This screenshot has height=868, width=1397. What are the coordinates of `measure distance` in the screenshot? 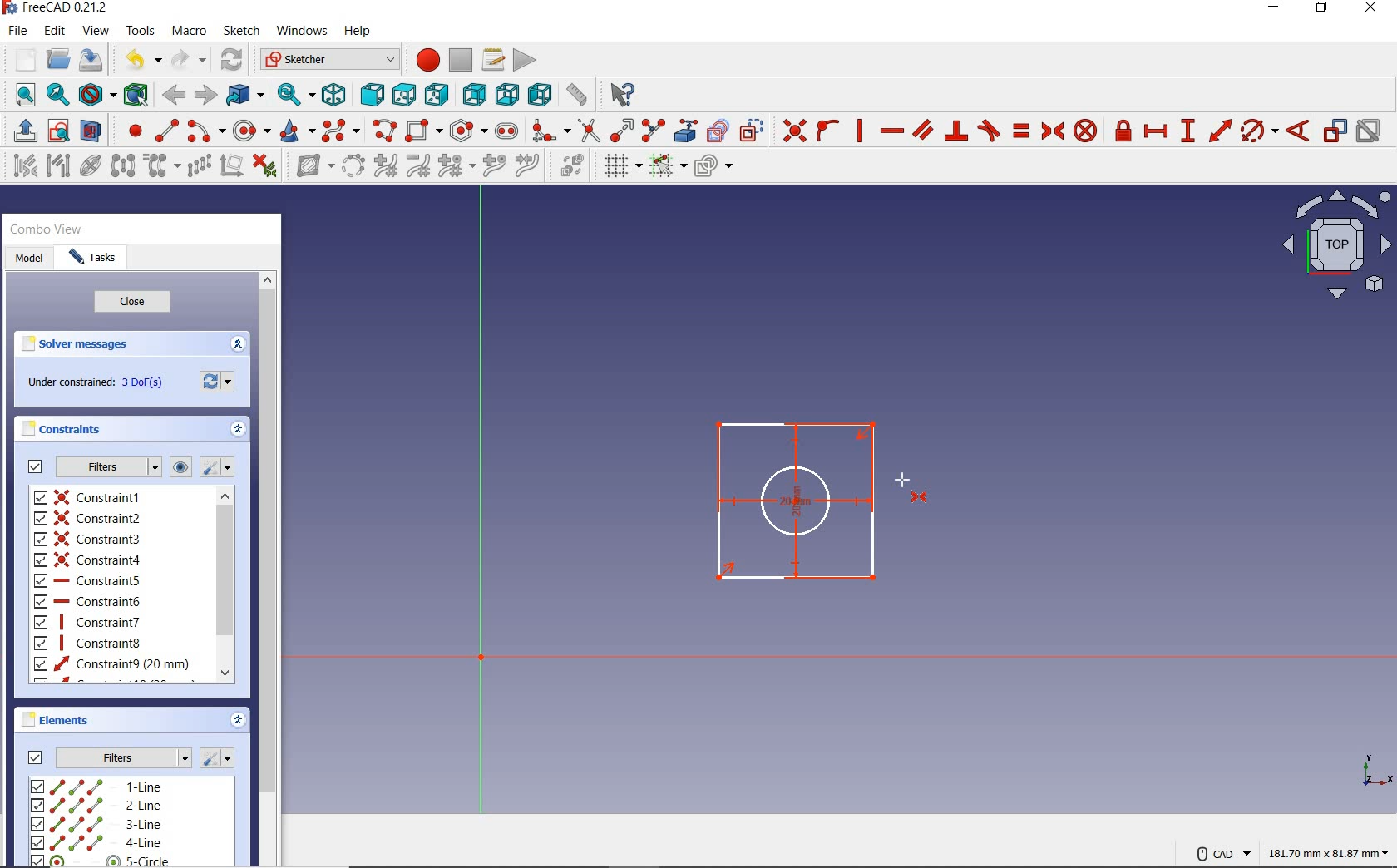 It's located at (578, 94).